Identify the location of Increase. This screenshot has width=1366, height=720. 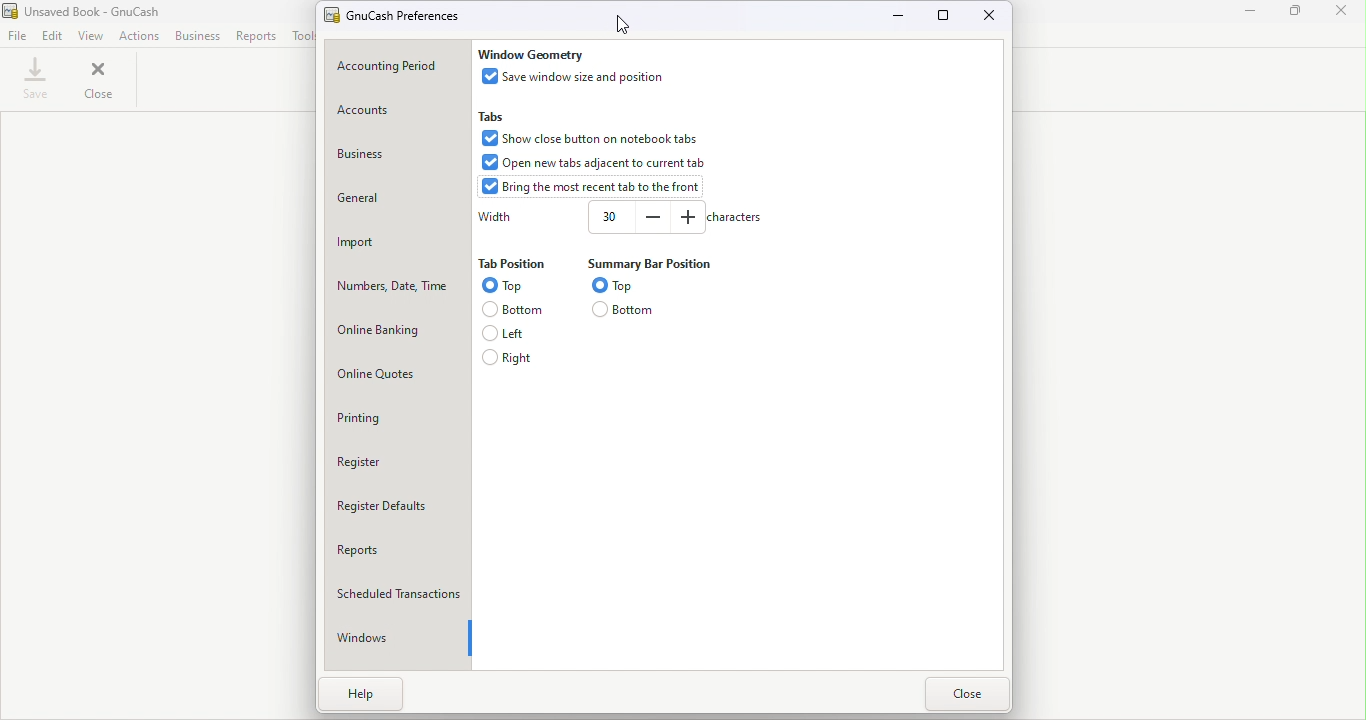
(686, 216).